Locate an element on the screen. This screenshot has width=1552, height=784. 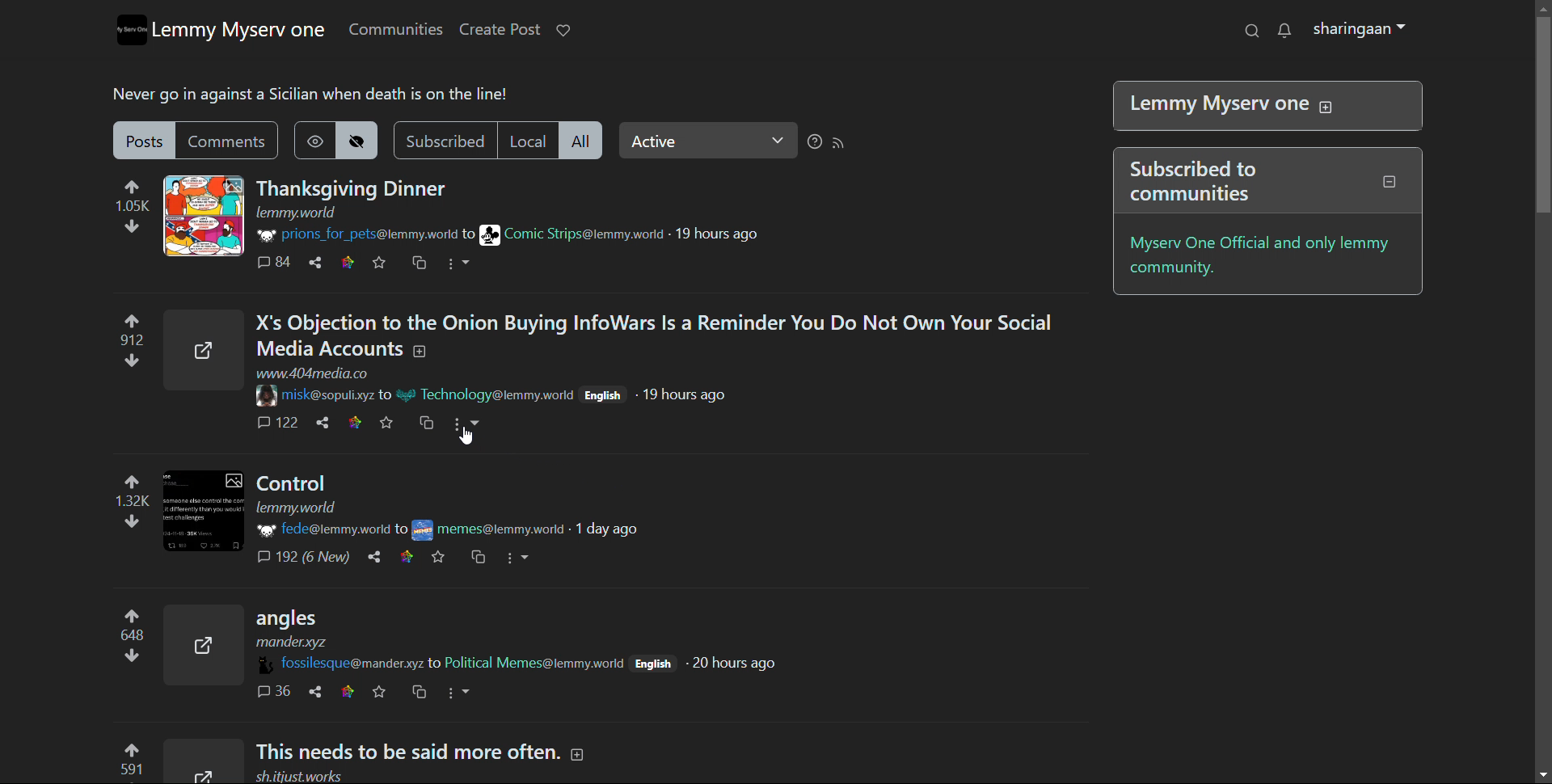
comments is located at coordinates (269, 425).